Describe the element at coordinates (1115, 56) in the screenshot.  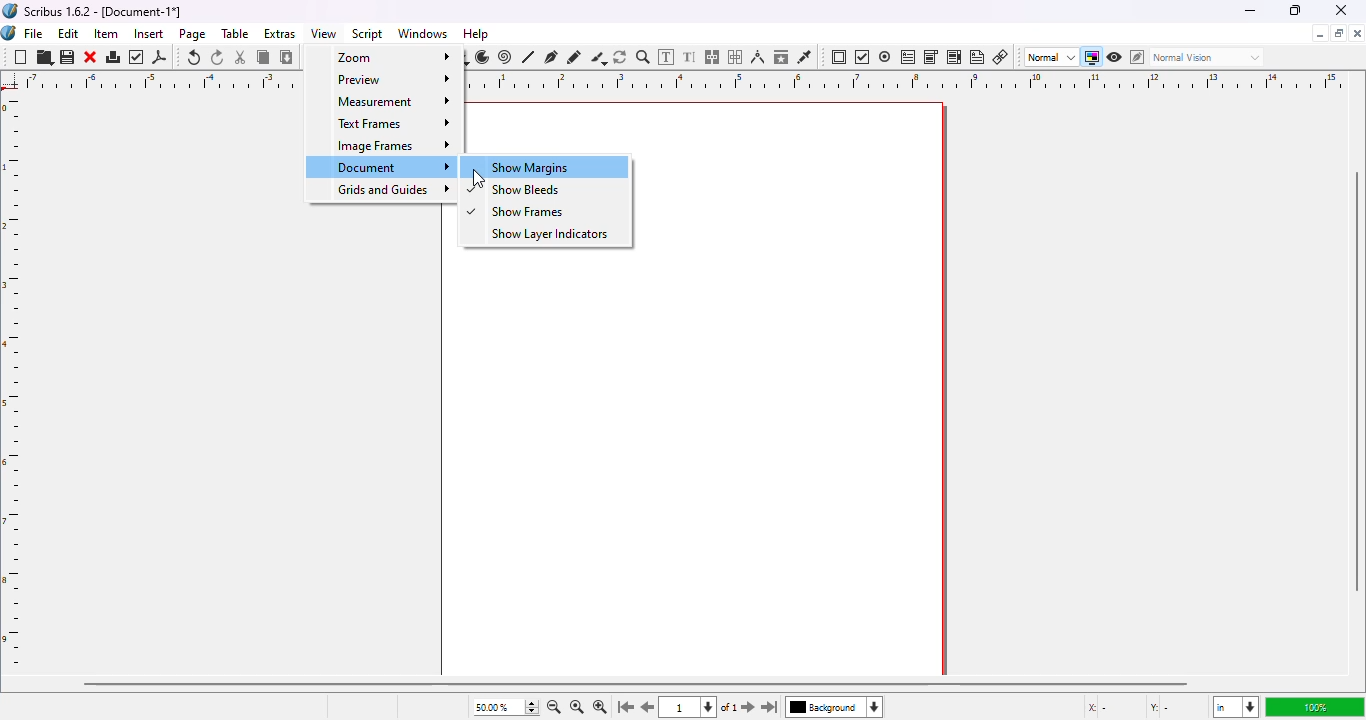
I see `preview mode` at that location.